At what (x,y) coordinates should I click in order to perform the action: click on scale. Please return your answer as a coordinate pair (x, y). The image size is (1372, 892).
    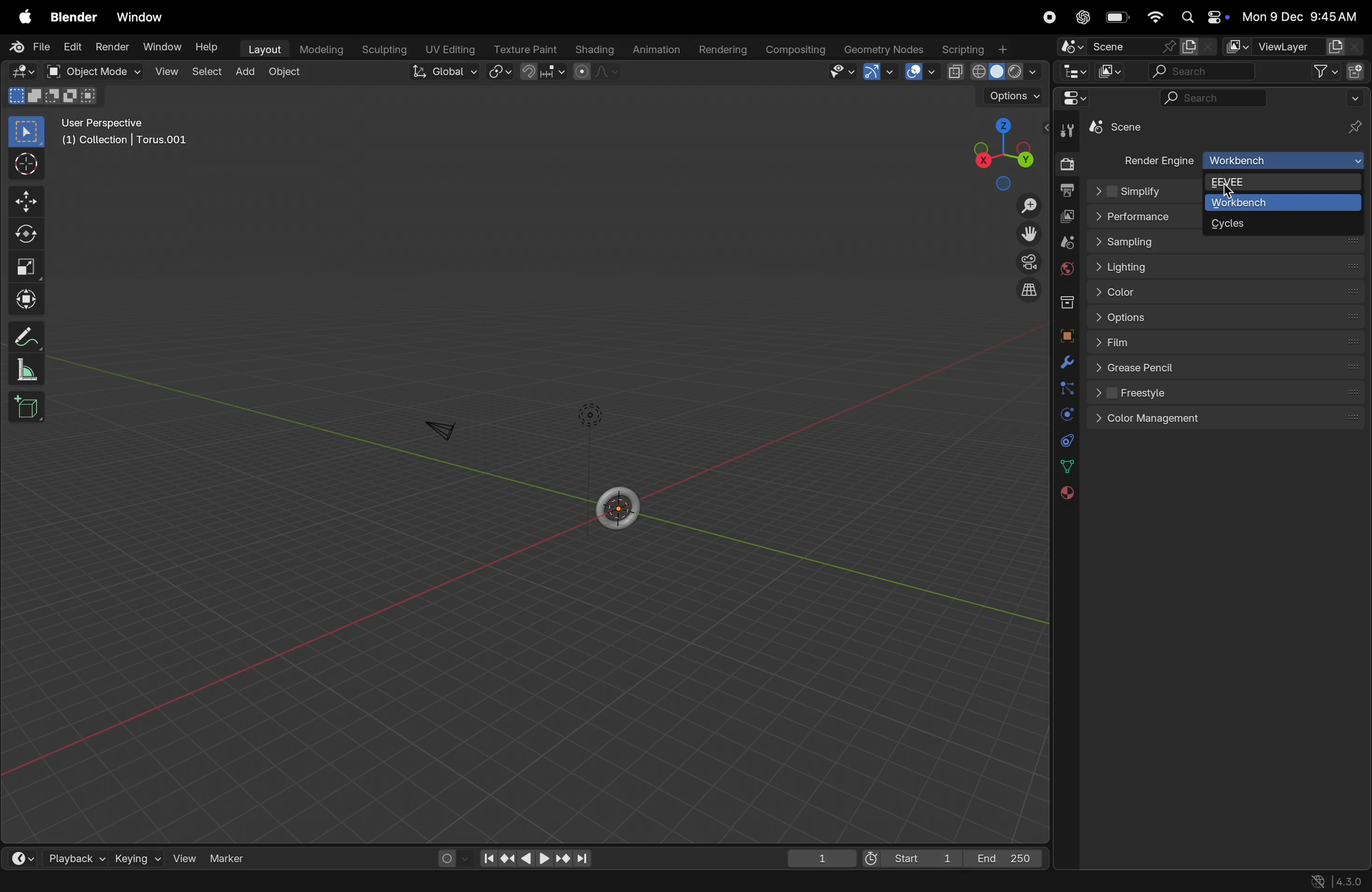
    Looking at the image, I should click on (26, 266).